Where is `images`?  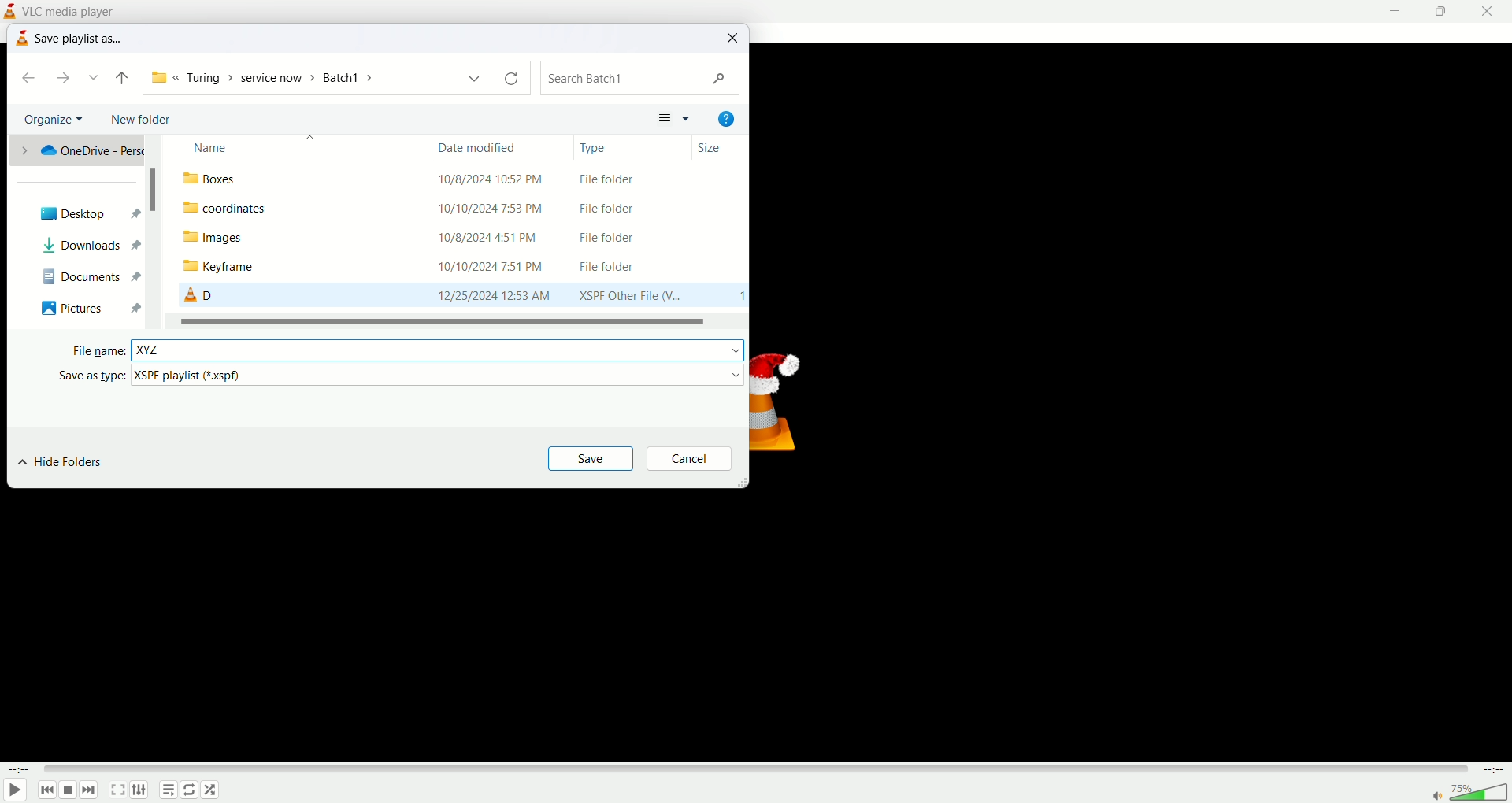
images is located at coordinates (233, 238).